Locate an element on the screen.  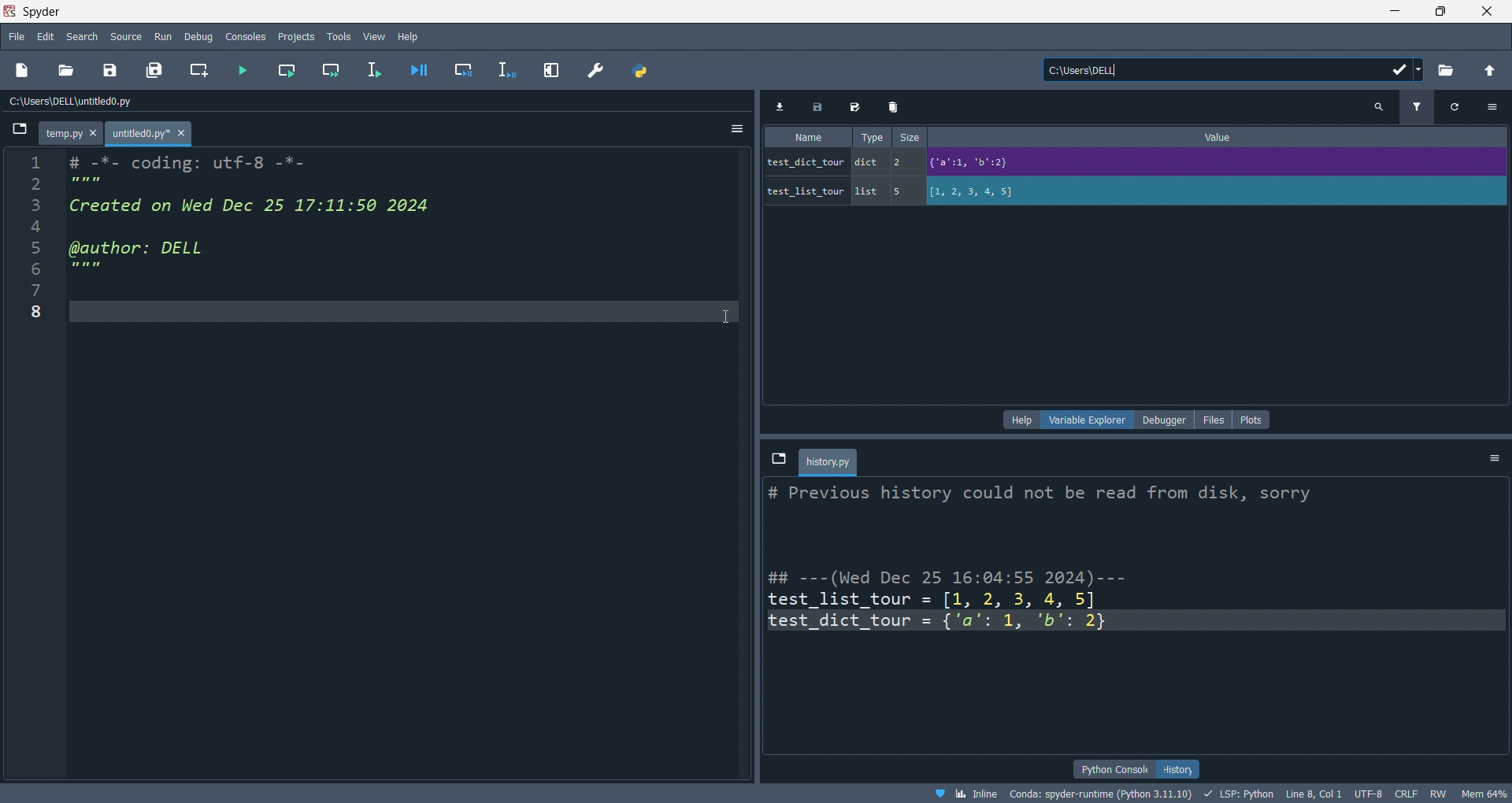
debug file is located at coordinates (416, 71).